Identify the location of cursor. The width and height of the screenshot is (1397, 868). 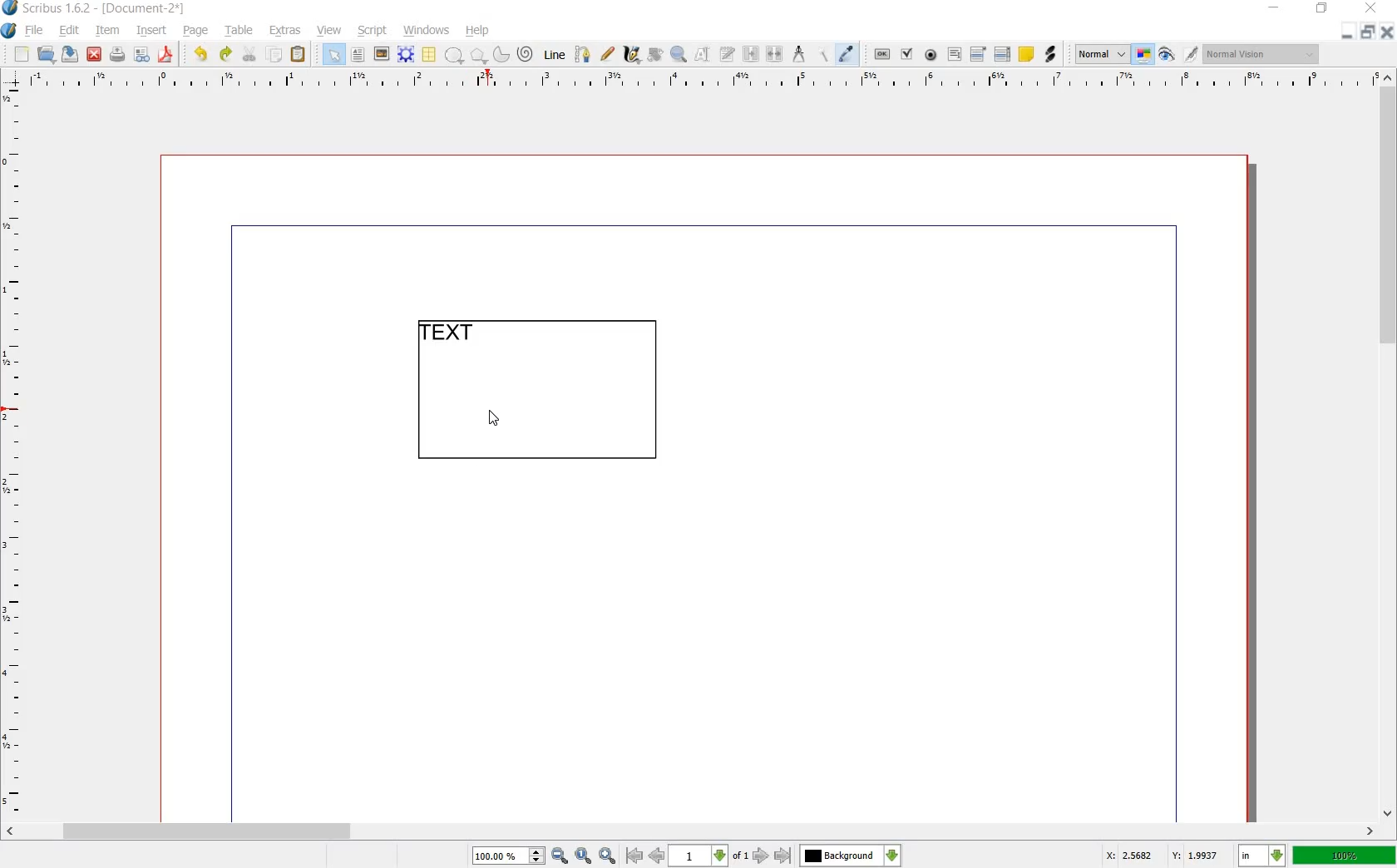
(499, 420).